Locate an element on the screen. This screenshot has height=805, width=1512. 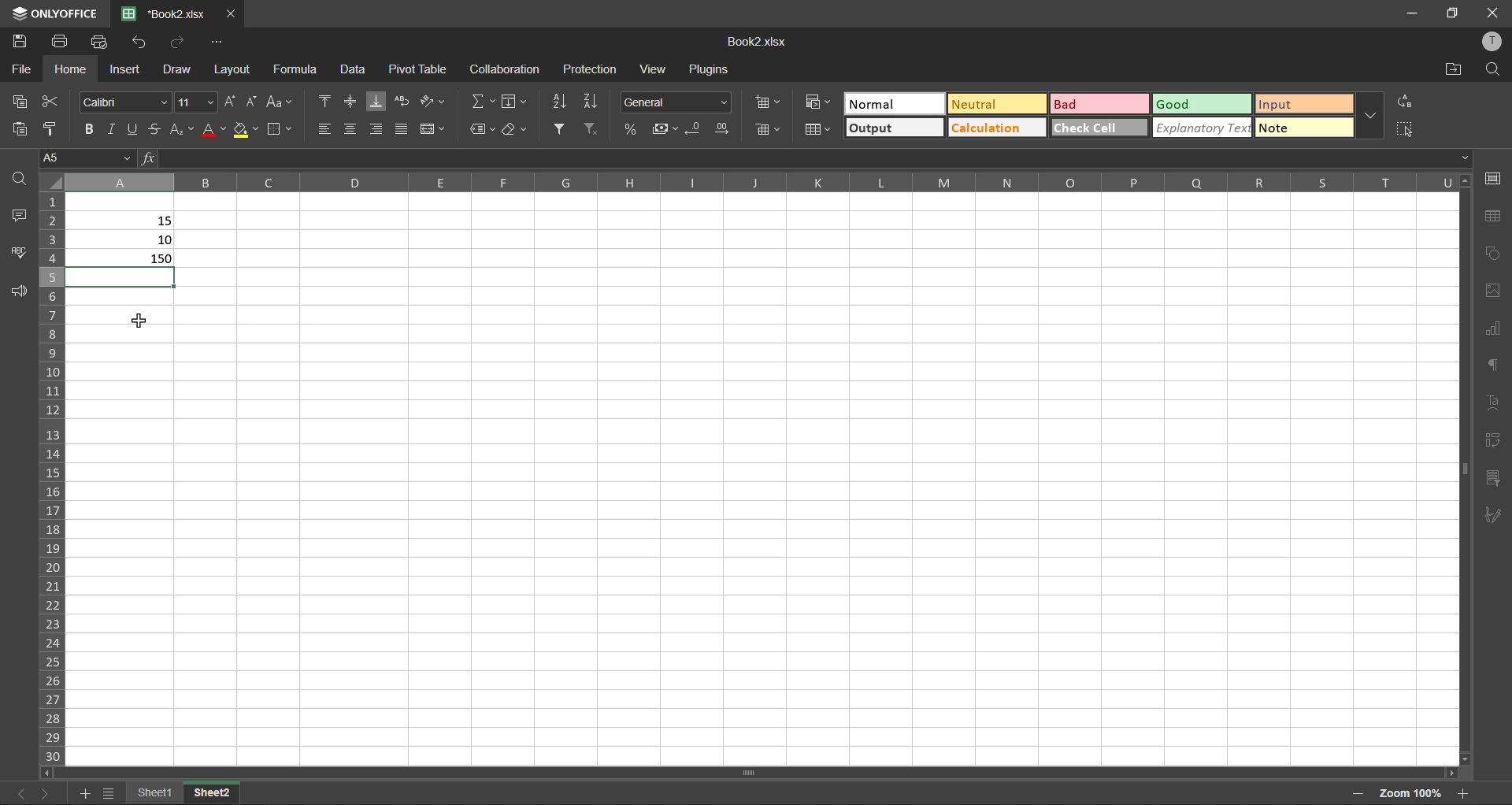
clear all is located at coordinates (517, 131).